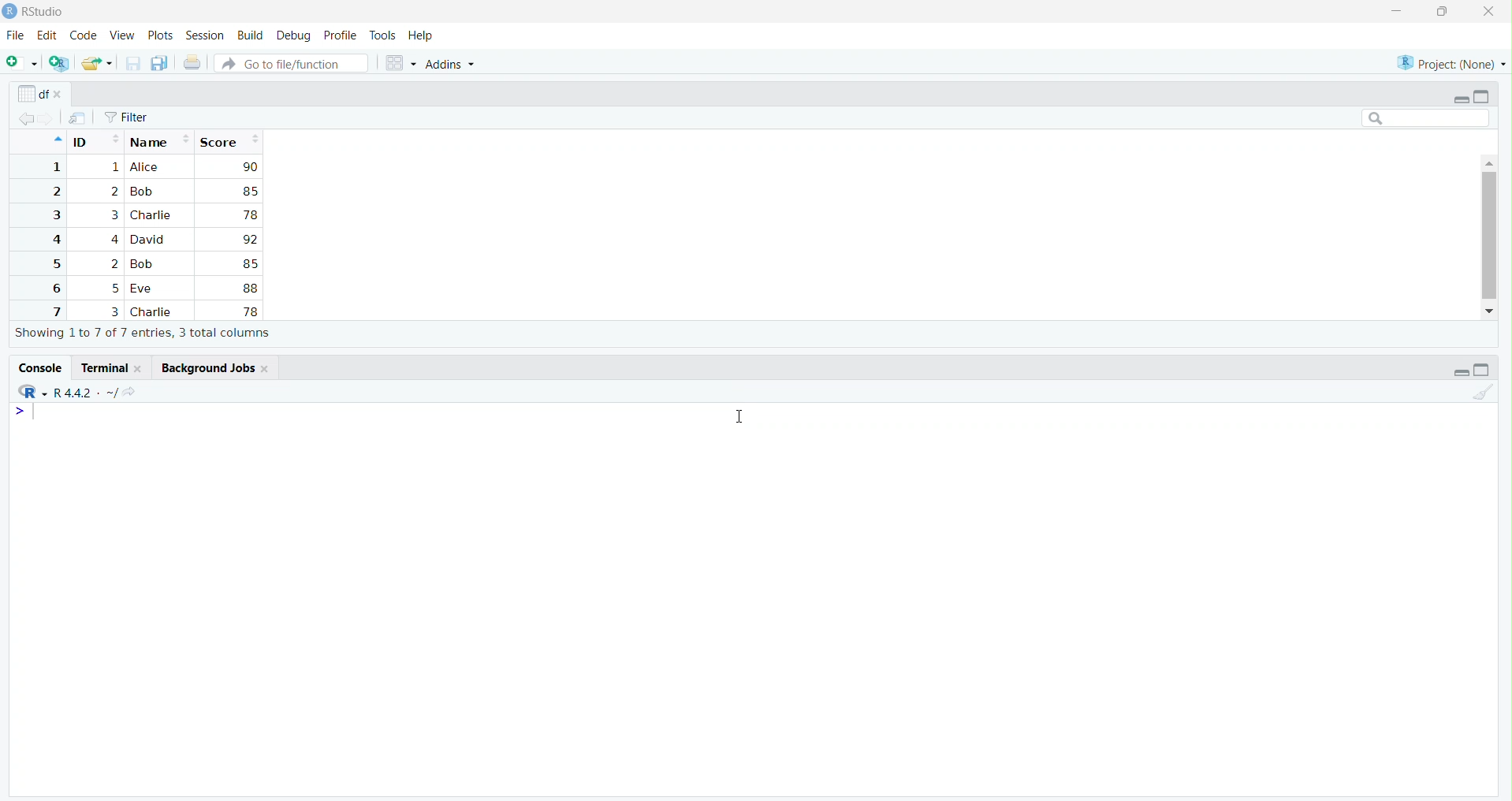  I want to click on up, so click(56, 140).